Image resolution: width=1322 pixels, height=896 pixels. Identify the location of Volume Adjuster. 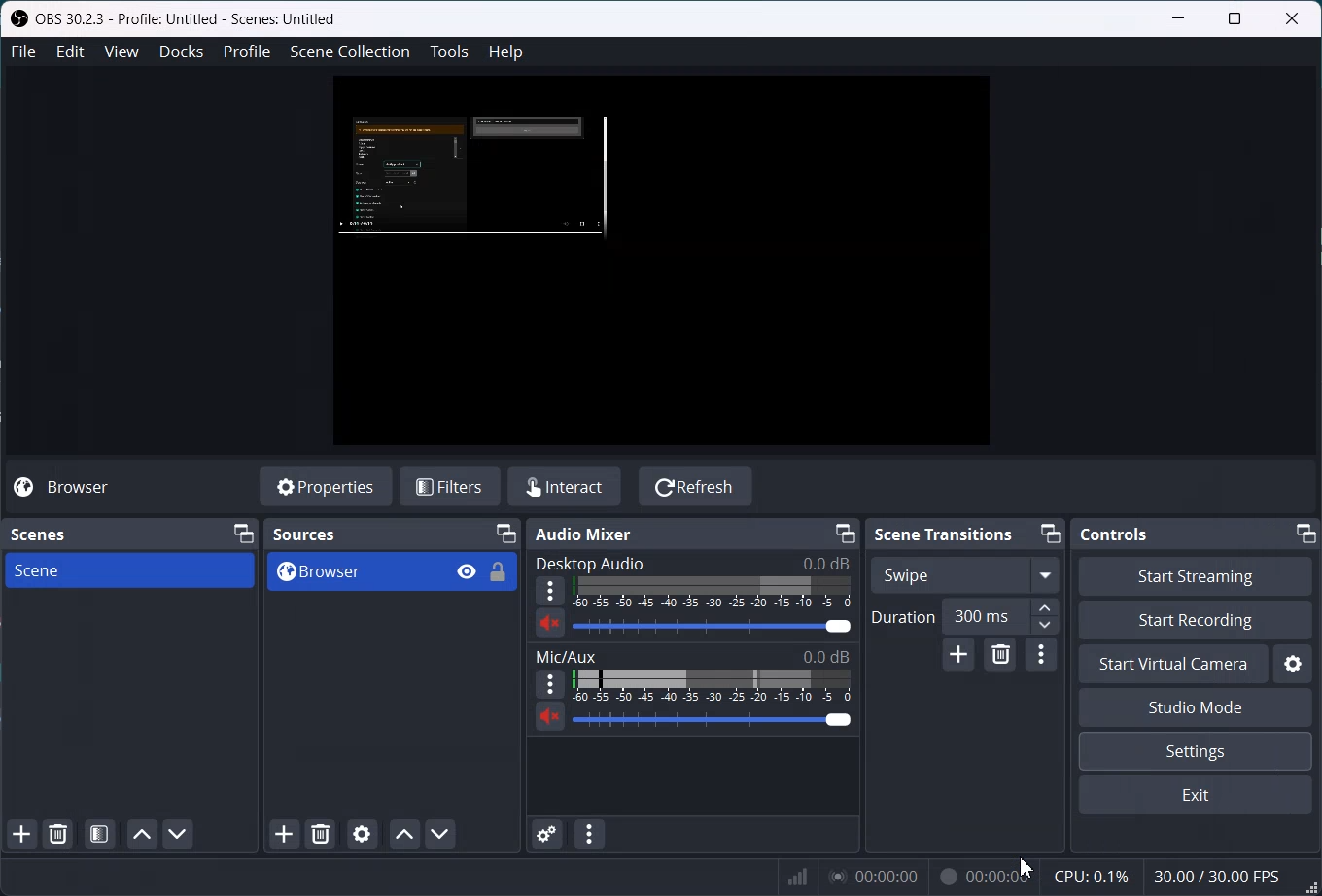
(712, 719).